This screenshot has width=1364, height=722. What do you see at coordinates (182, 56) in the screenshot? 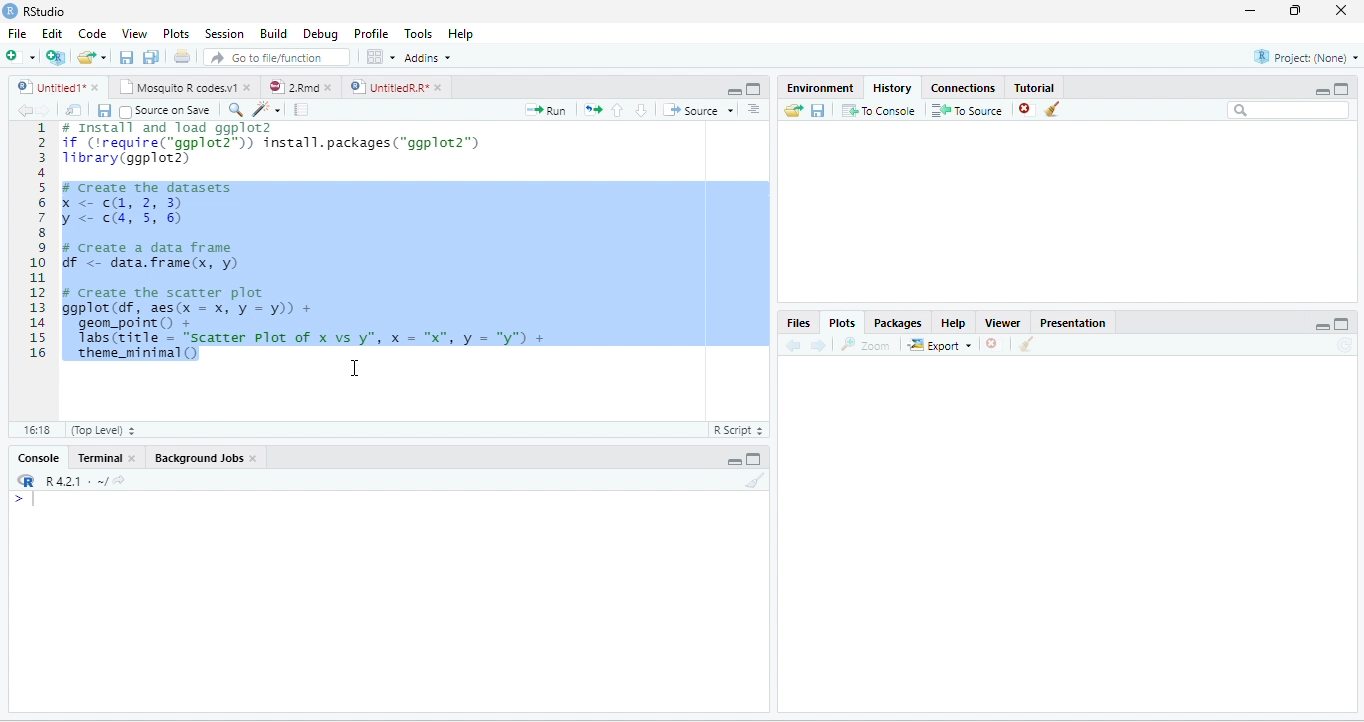
I see `Print the current file` at bounding box center [182, 56].